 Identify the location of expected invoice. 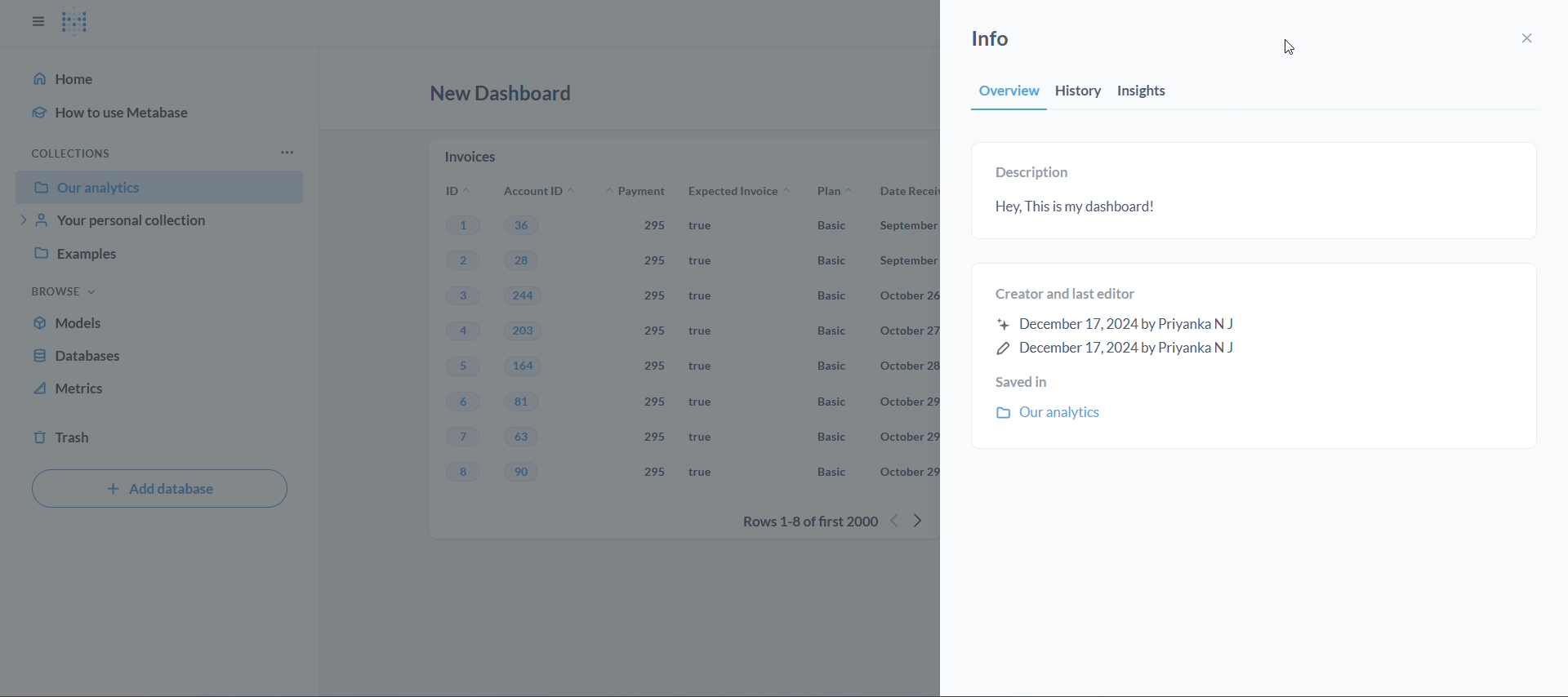
(742, 191).